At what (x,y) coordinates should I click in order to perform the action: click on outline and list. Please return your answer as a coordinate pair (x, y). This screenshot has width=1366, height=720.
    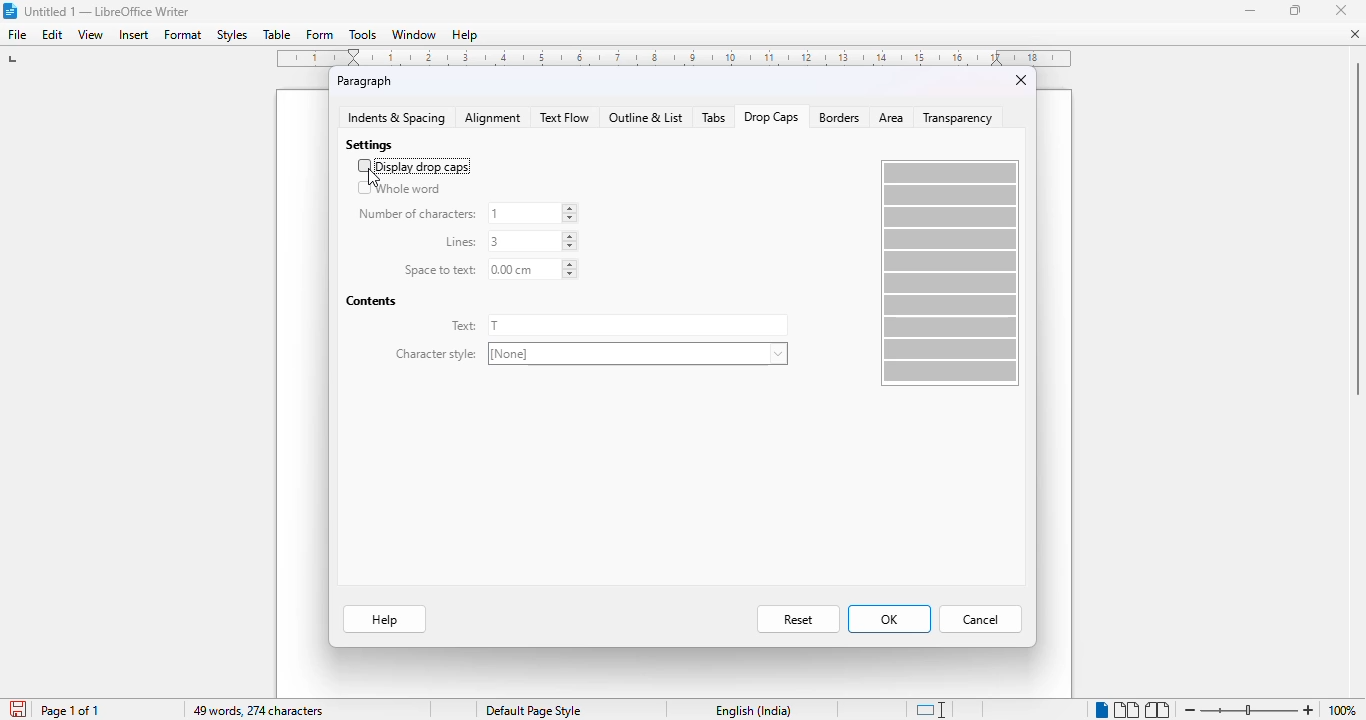
    Looking at the image, I should click on (646, 118).